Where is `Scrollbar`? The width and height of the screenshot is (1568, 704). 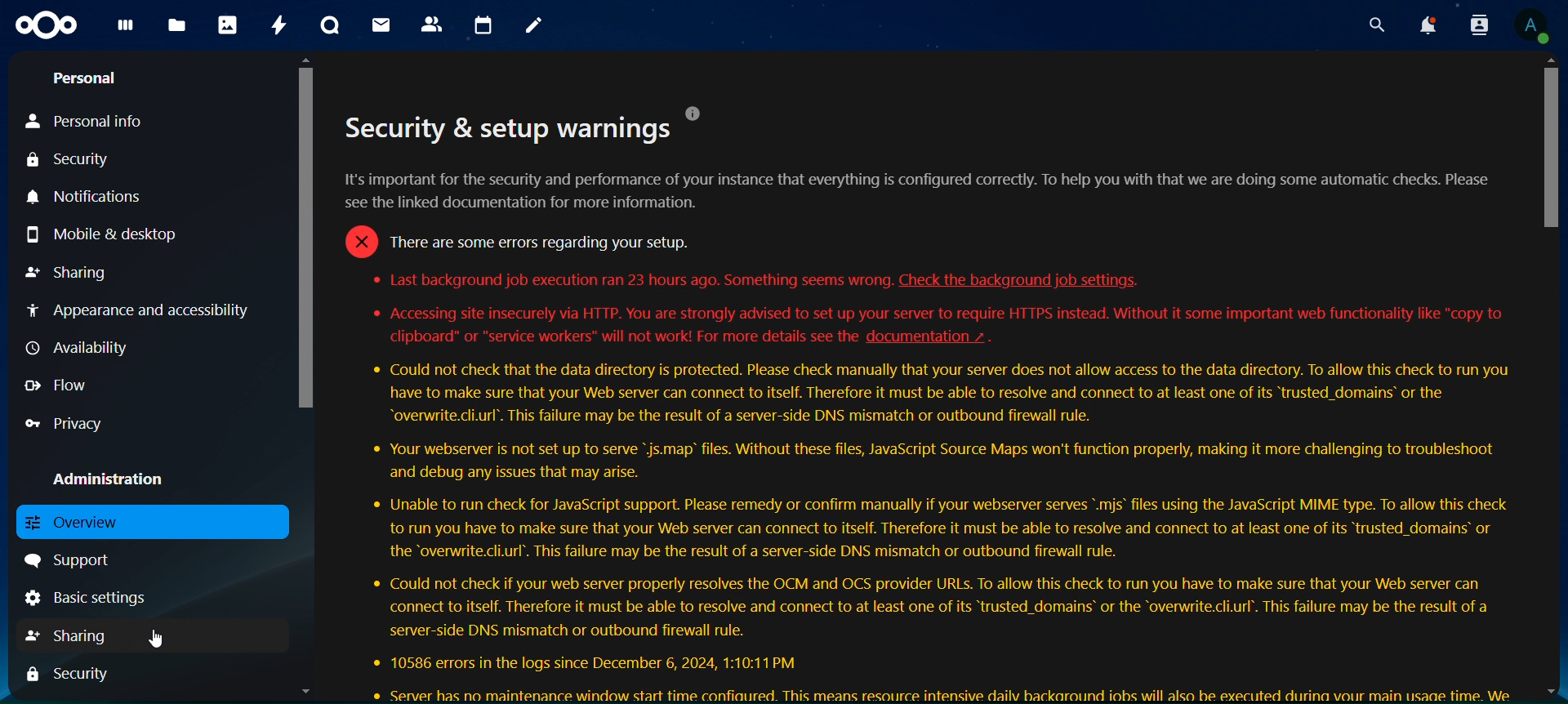
Scrollbar is located at coordinates (1552, 377).